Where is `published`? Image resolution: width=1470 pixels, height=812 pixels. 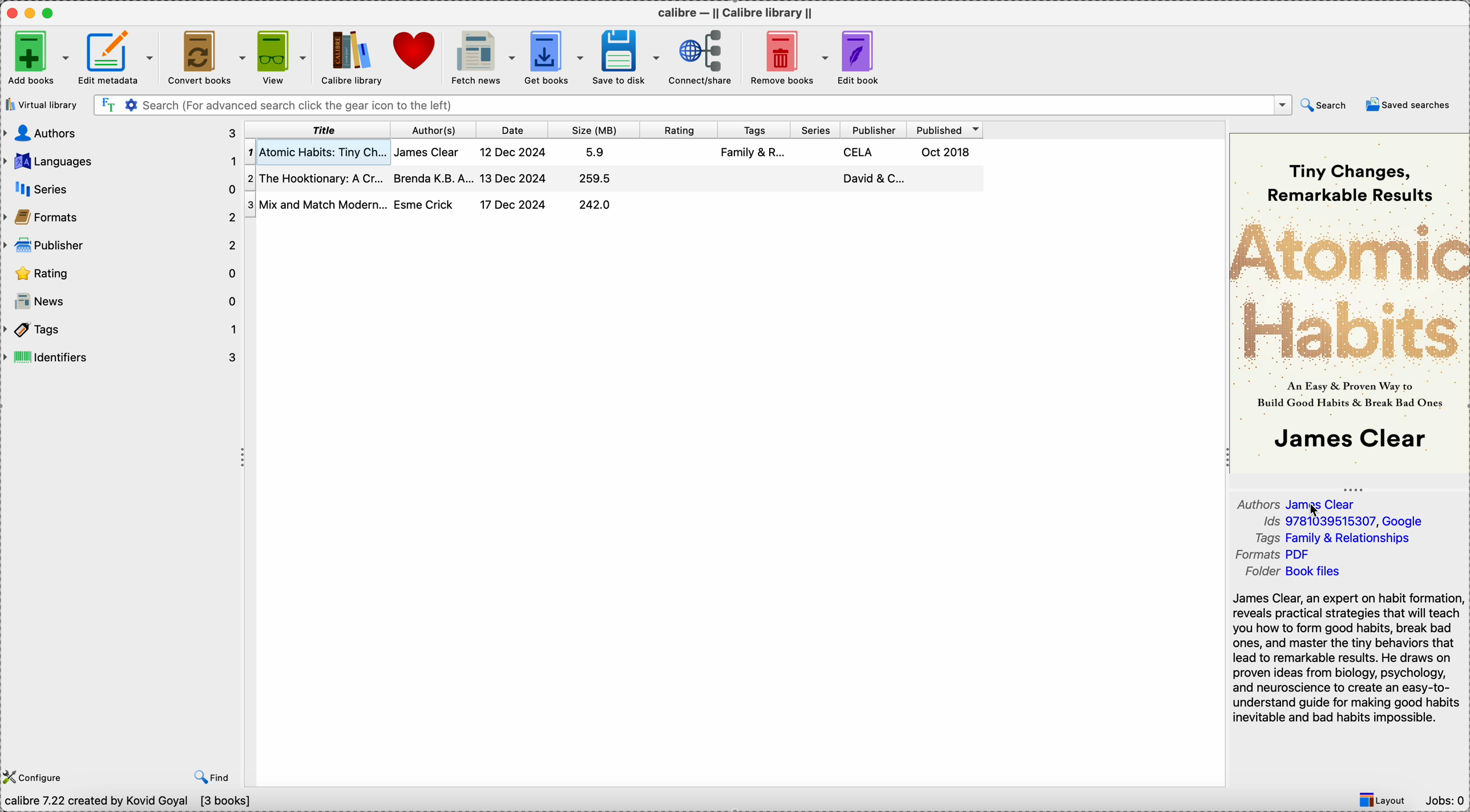 published is located at coordinates (946, 130).